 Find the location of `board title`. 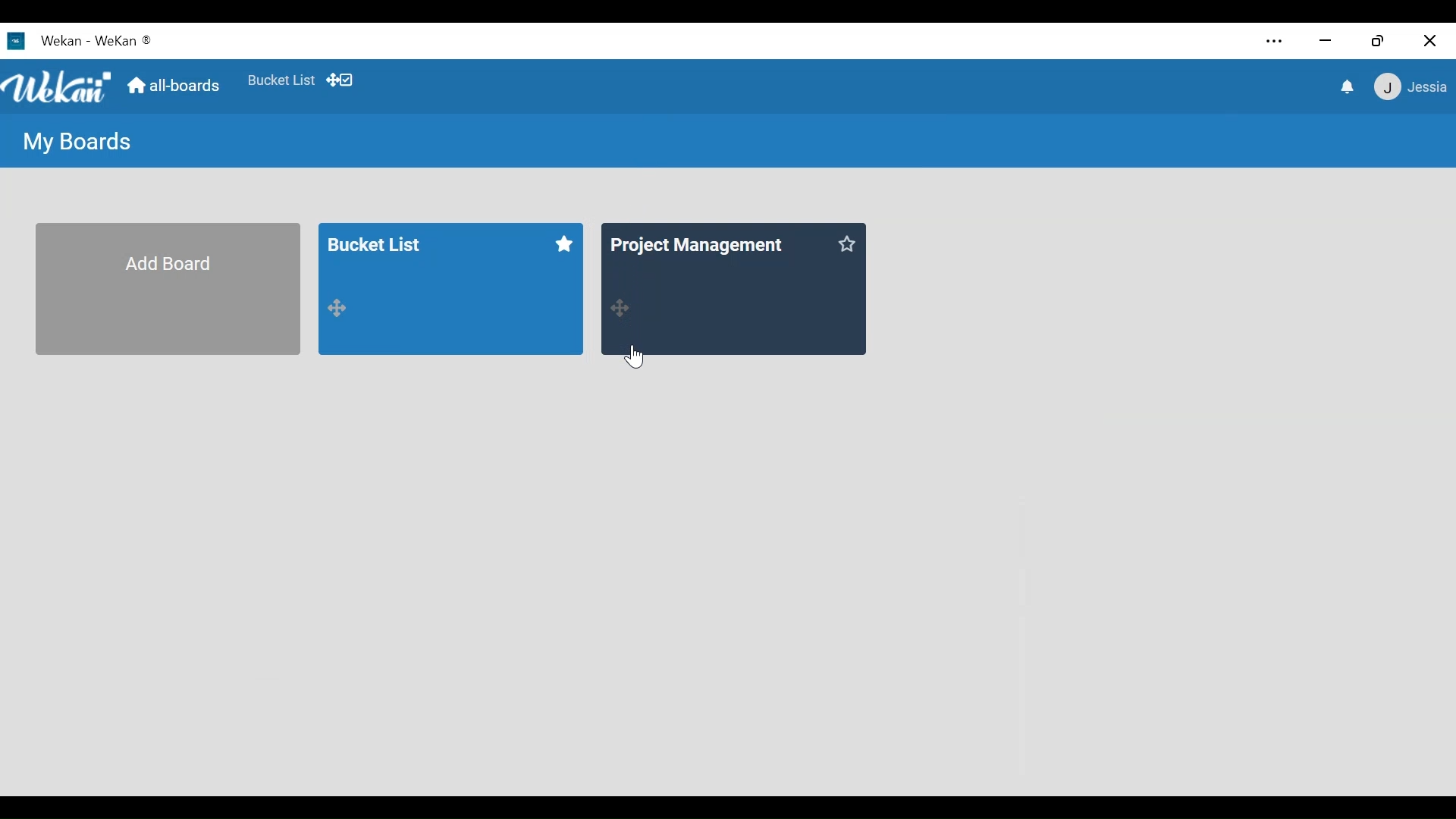

board title is located at coordinates (698, 240).